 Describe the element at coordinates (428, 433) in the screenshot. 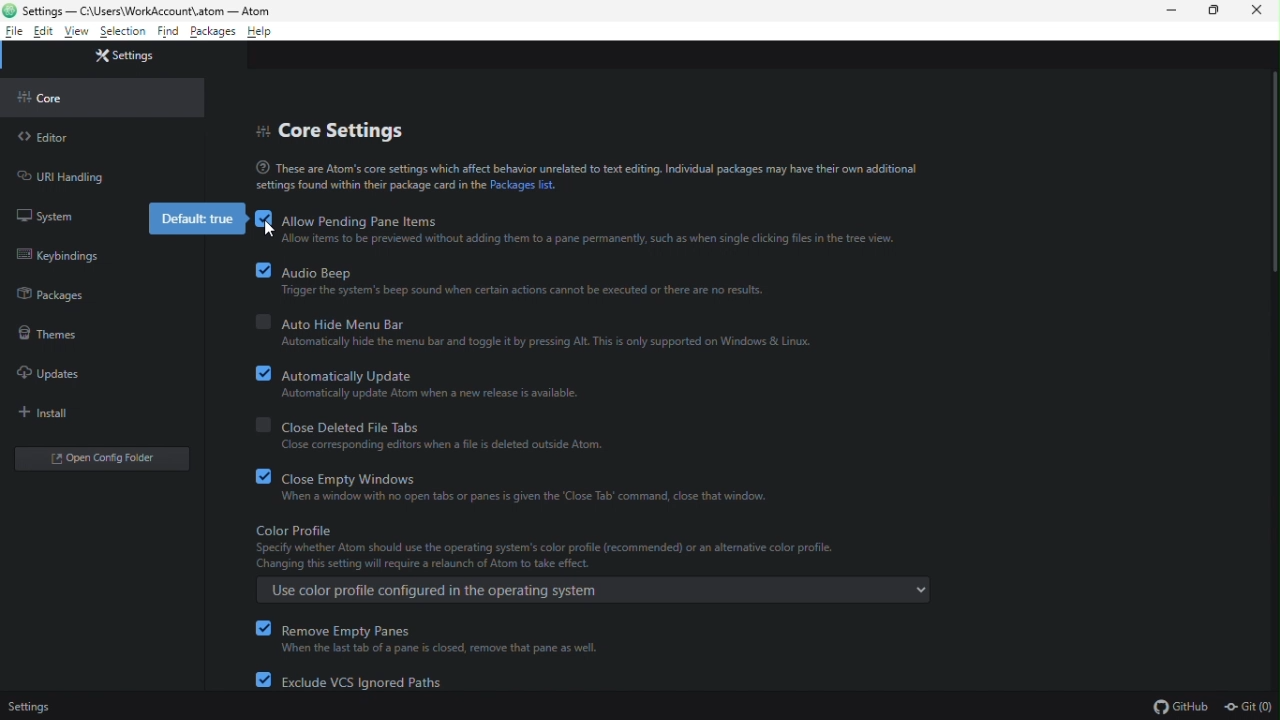

I see `close deleted file tabs. Close corresponding editors when a file is deleted outside Atom.` at that location.